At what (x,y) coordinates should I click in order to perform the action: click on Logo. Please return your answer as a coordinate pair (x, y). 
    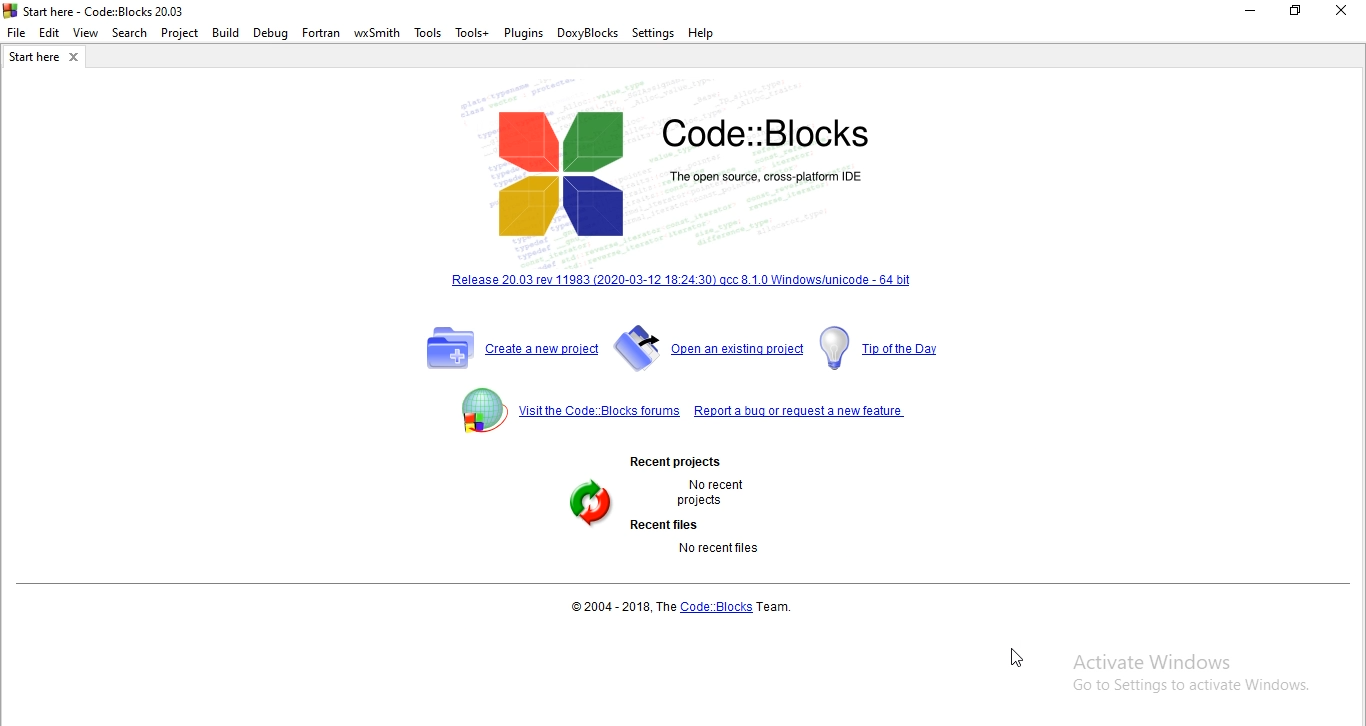
    Looking at the image, I should click on (635, 346).